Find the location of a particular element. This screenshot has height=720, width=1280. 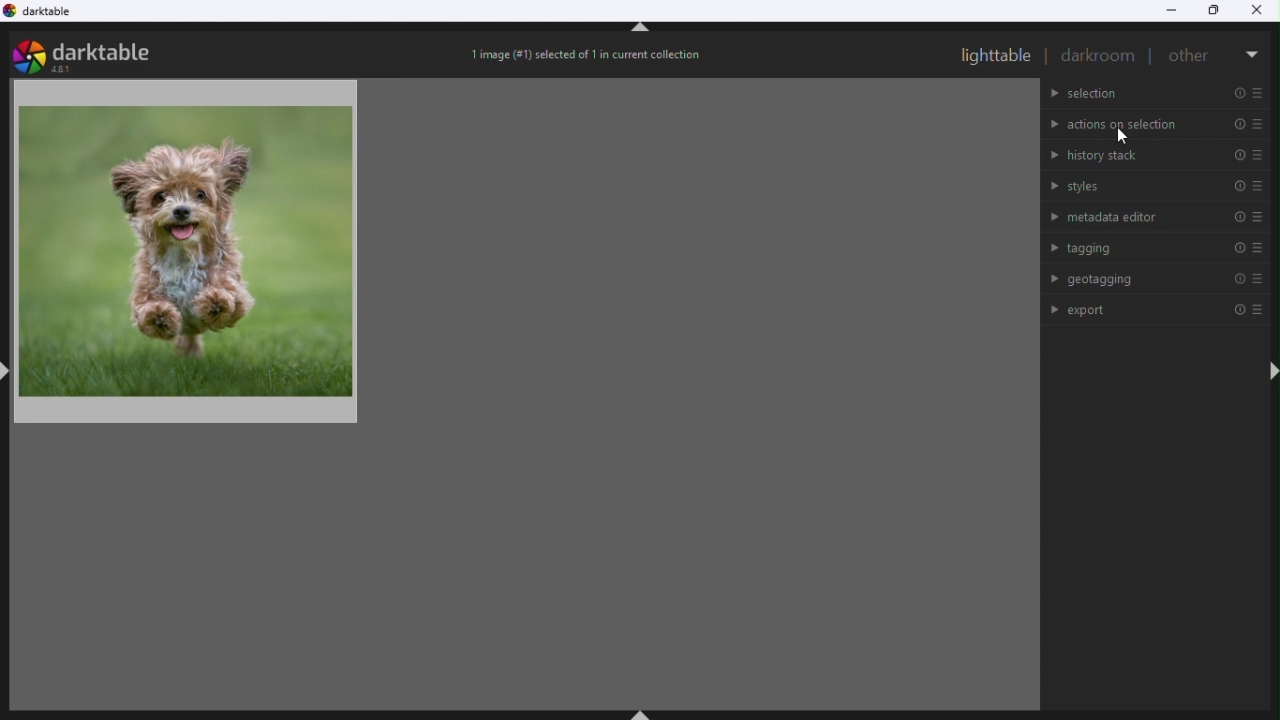

Styles is located at coordinates (1157, 184).